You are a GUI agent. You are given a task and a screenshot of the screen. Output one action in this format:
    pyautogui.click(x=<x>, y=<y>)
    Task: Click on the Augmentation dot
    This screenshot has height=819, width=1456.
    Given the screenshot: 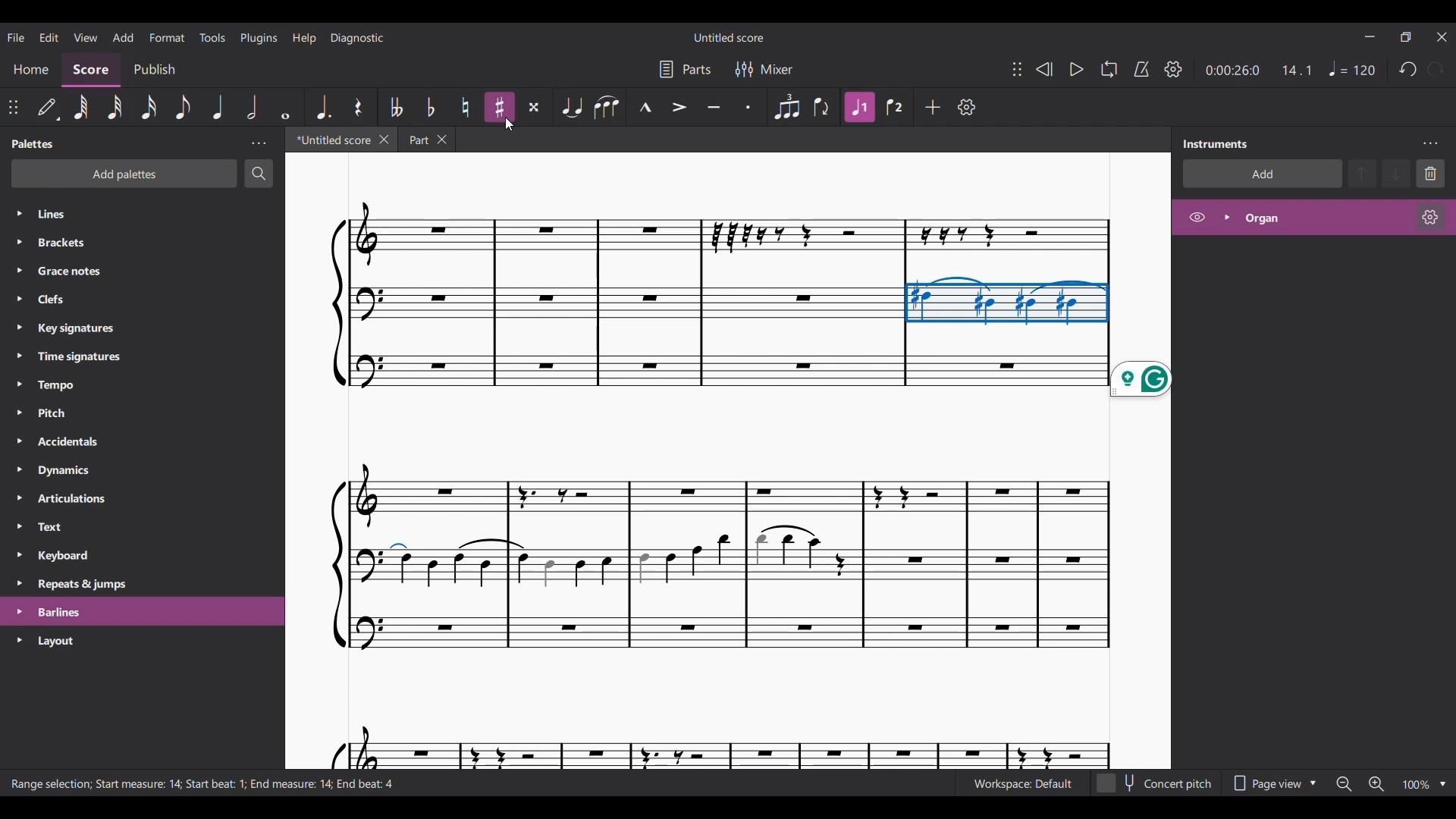 What is the action you would take?
    pyautogui.click(x=323, y=106)
    